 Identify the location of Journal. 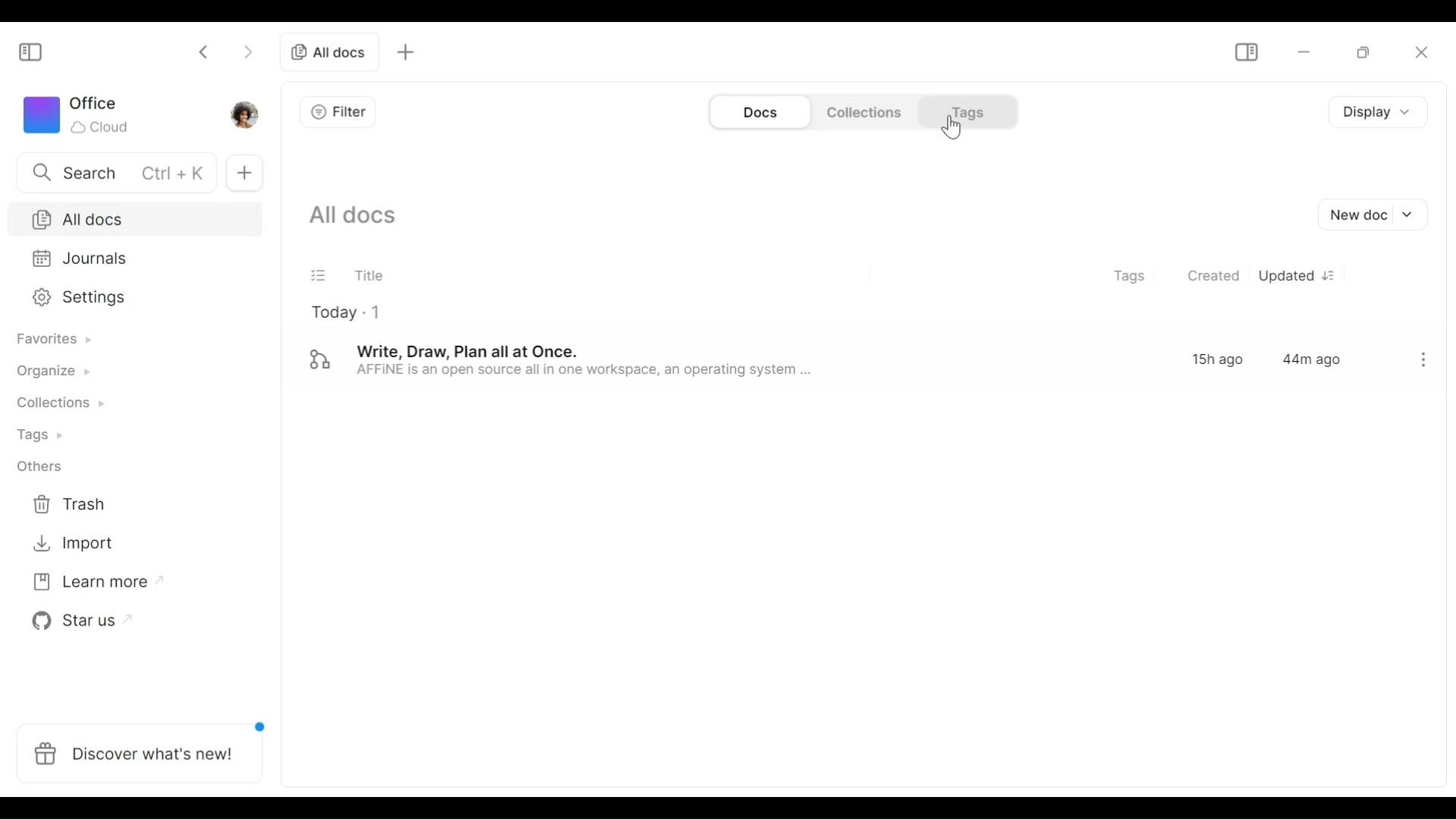
(133, 262).